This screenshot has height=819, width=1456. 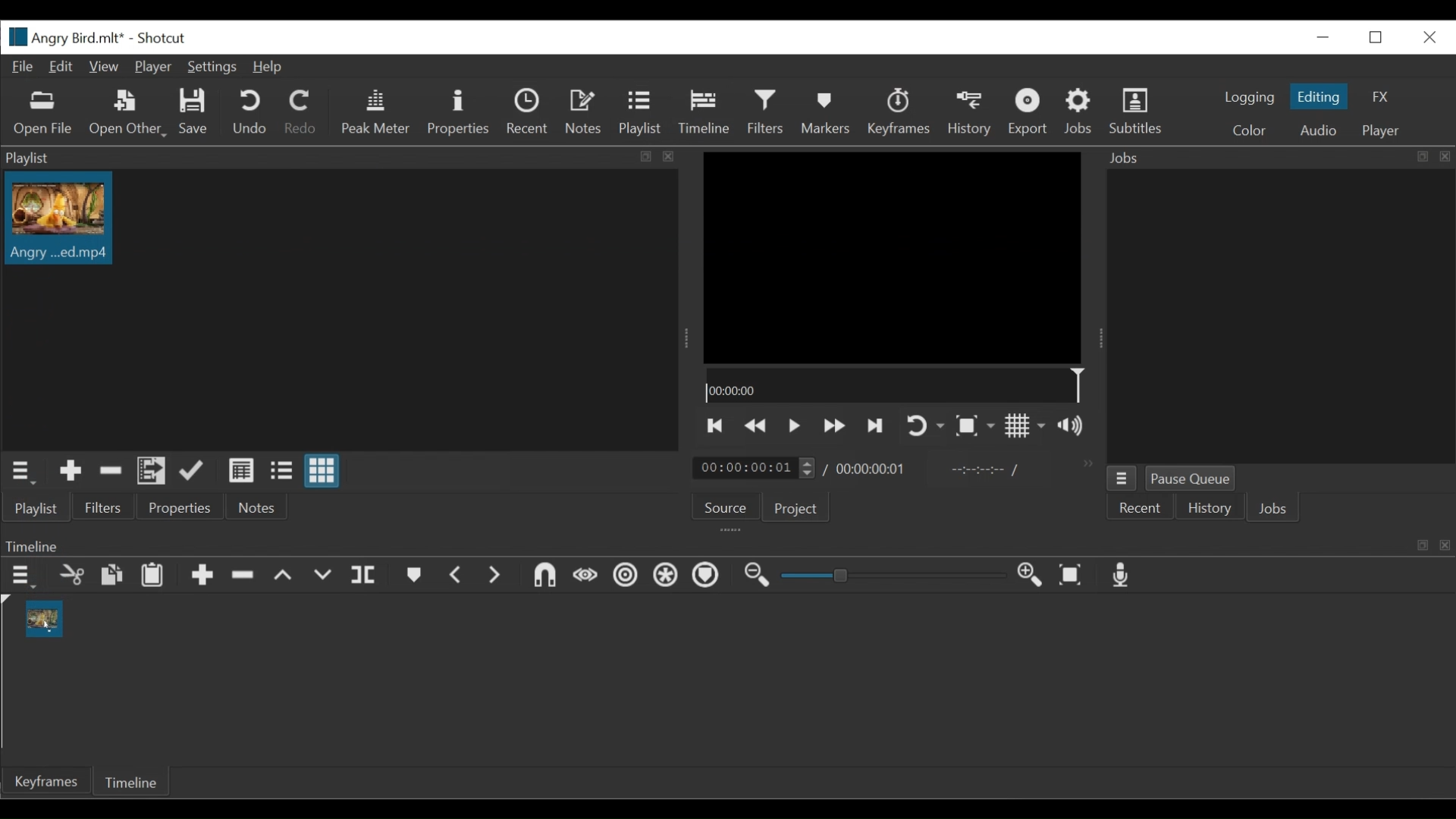 What do you see at coordinates (706, 113) in the screenshot?
I see `Timeline` at bounding box center [706, 113].